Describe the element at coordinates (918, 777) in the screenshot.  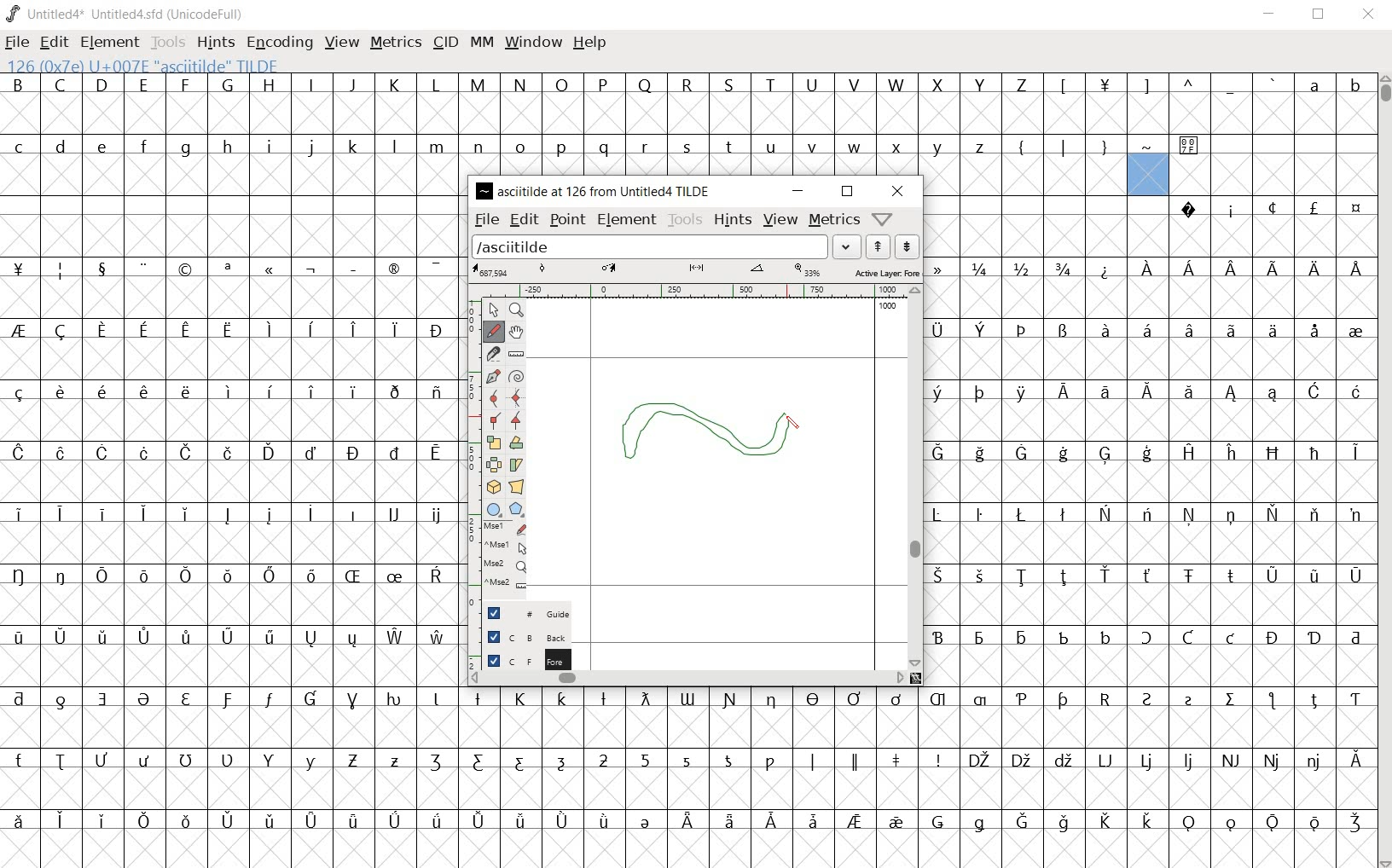
I see `glyph characters` at that location.